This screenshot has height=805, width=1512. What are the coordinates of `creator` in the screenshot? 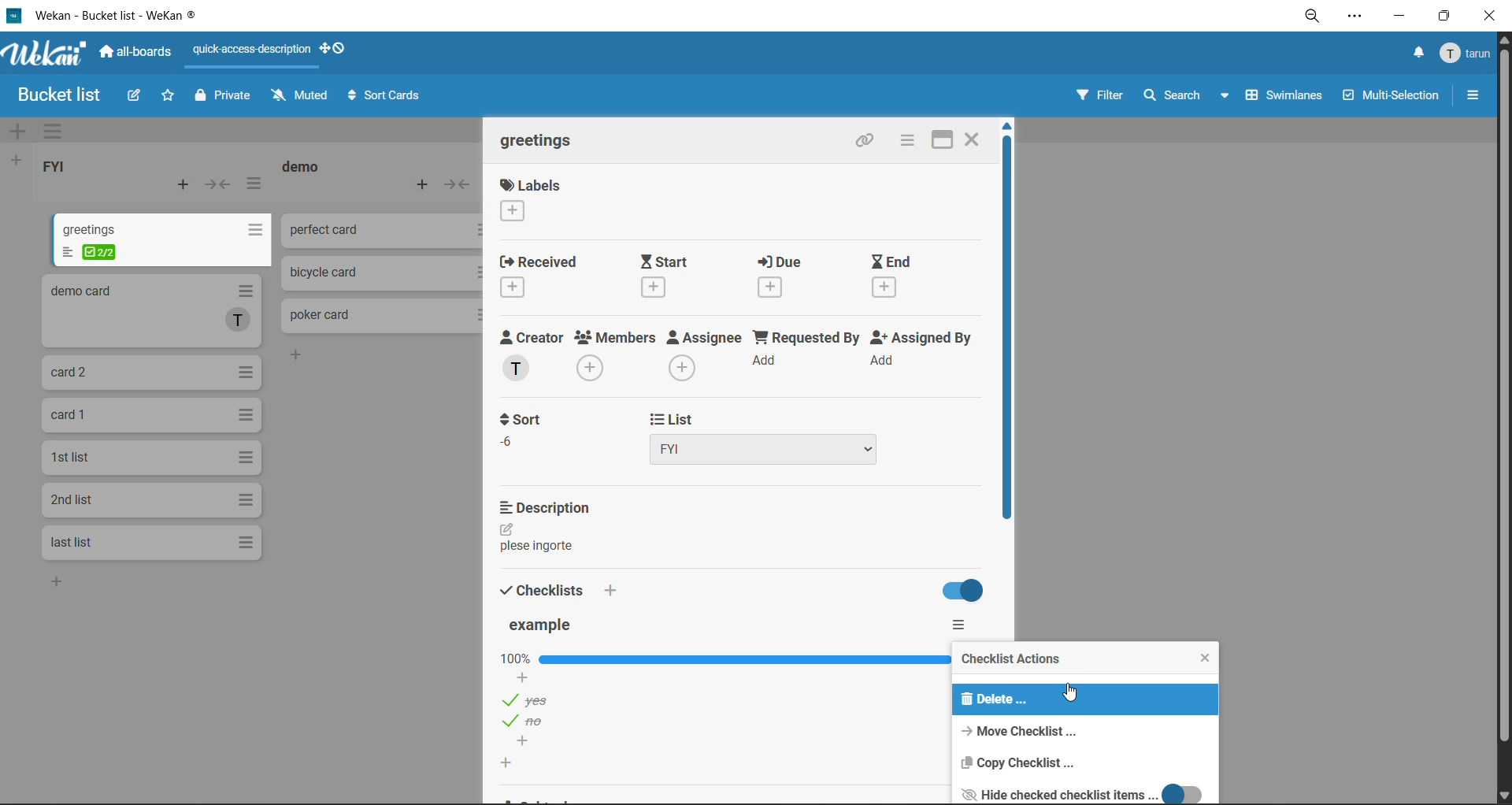 It's located at (531, 356).